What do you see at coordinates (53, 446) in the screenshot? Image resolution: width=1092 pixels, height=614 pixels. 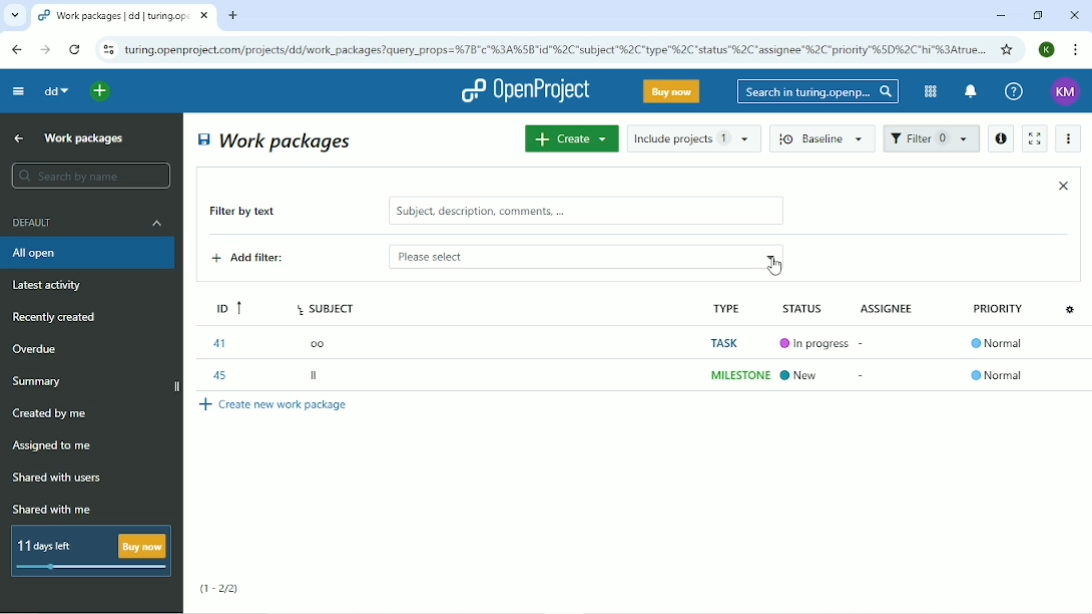 I see `Assigned to me` at bounding box center [53, 446].